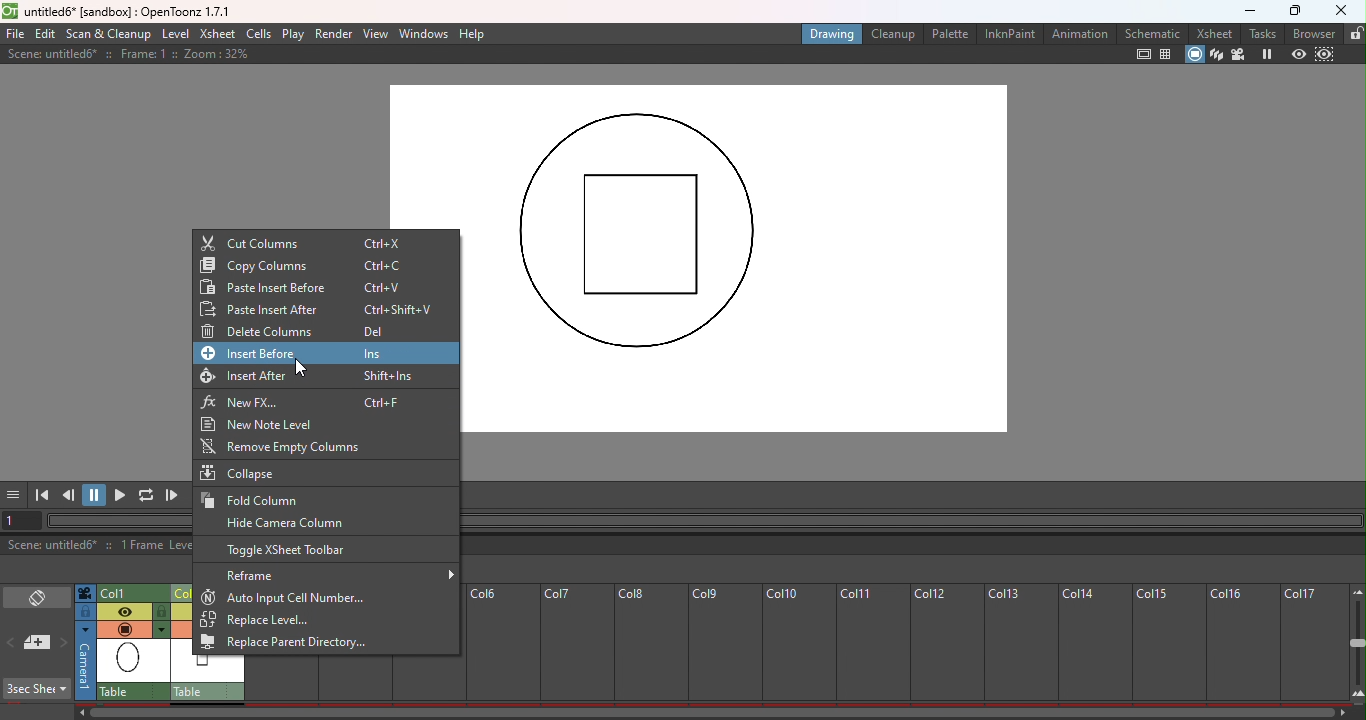 This screenshot has height=720, width=1366. What do you see at coordinates (37, 643) in the screenshot?
I see `New memo` at bounding box center [37, 643].